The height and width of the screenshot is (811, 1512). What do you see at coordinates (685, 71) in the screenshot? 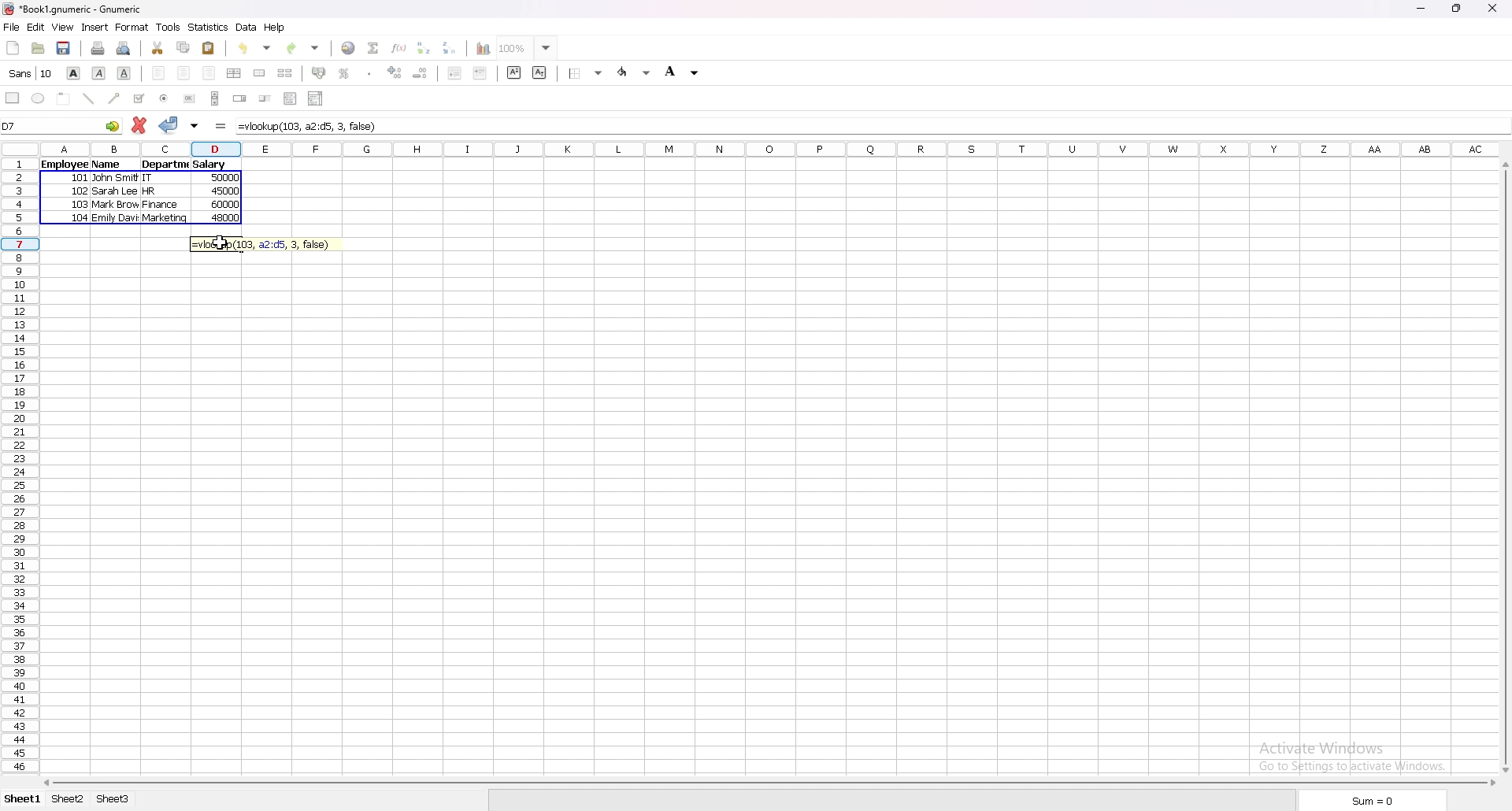
I see `background` at bounding box center [685, 71].